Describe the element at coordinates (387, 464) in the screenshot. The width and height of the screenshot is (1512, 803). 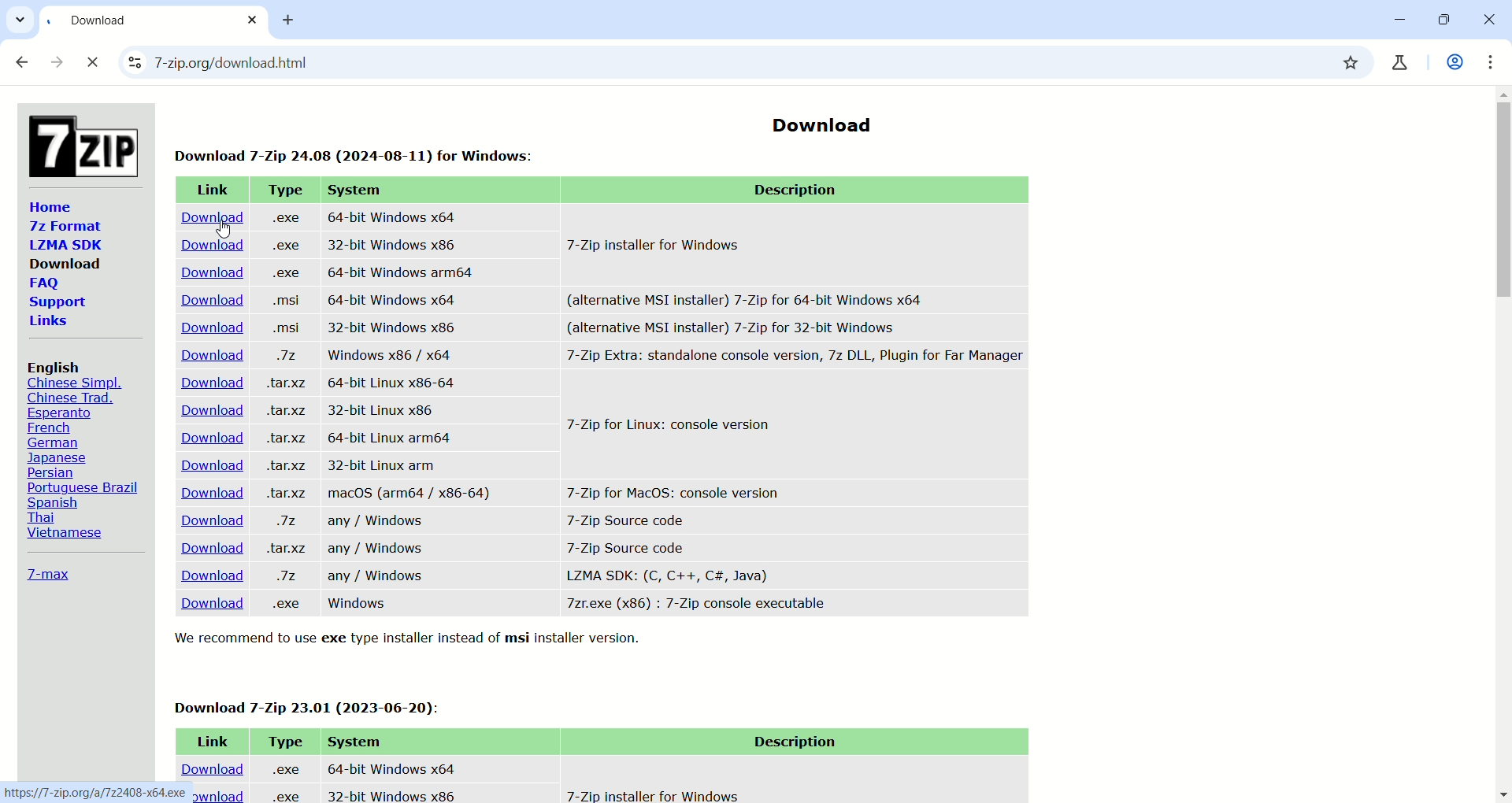
I see `32-bit Linux arm` at that location.